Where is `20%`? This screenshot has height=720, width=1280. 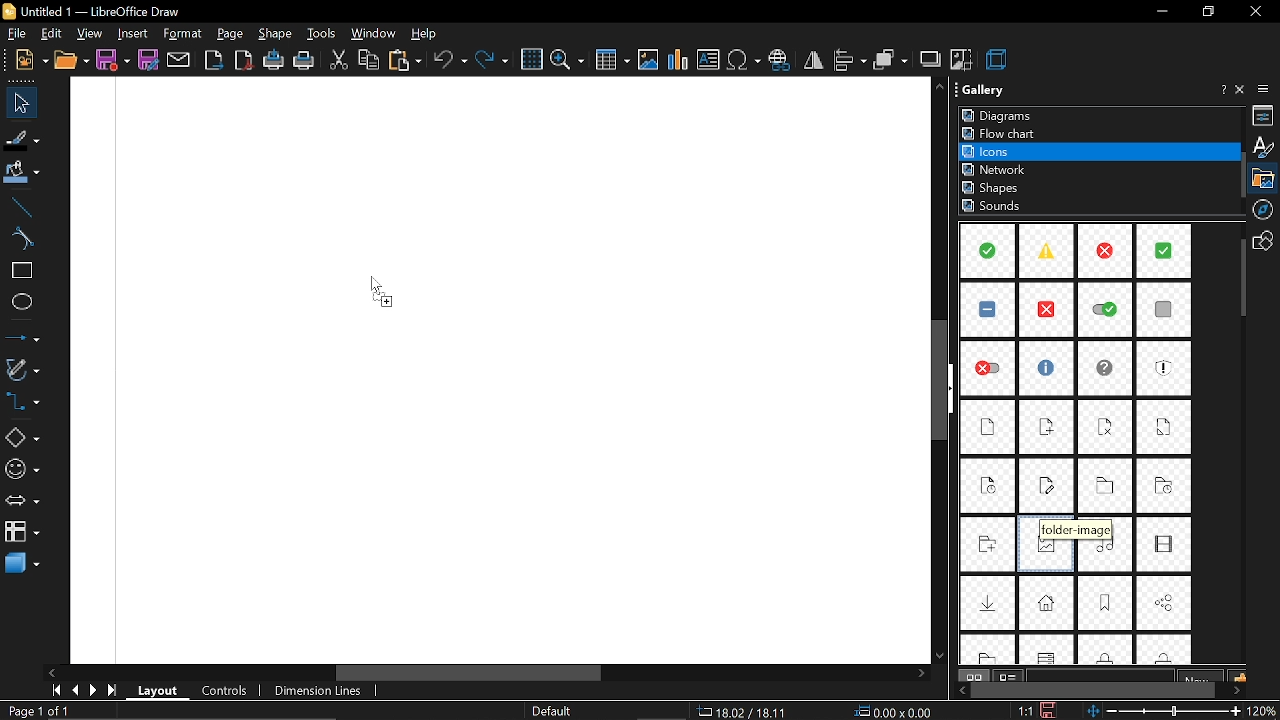
20% is located at coordinates (1264, 711).